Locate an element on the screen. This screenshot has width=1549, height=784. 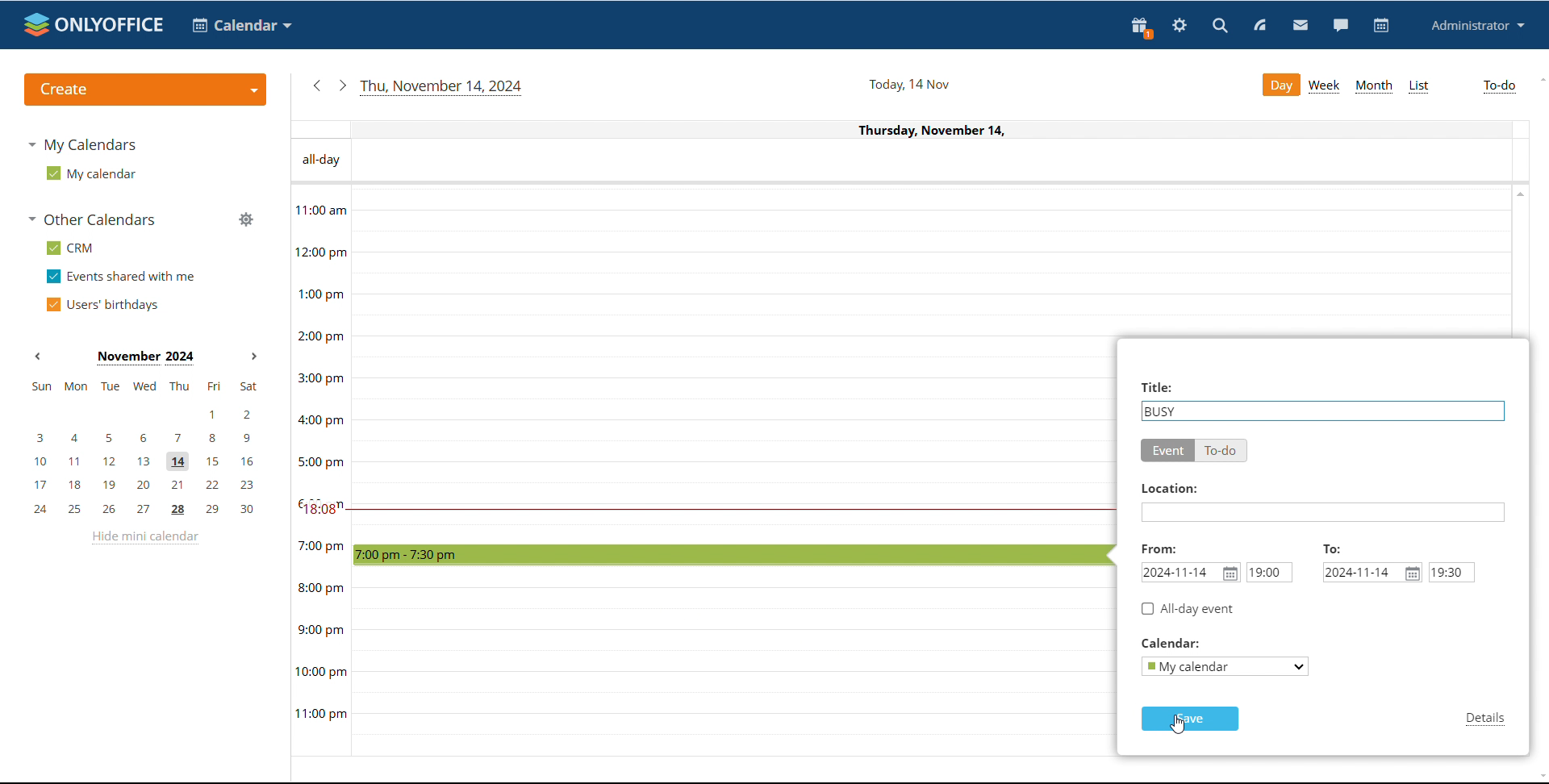
previous date is located at coordinates (319, 86).